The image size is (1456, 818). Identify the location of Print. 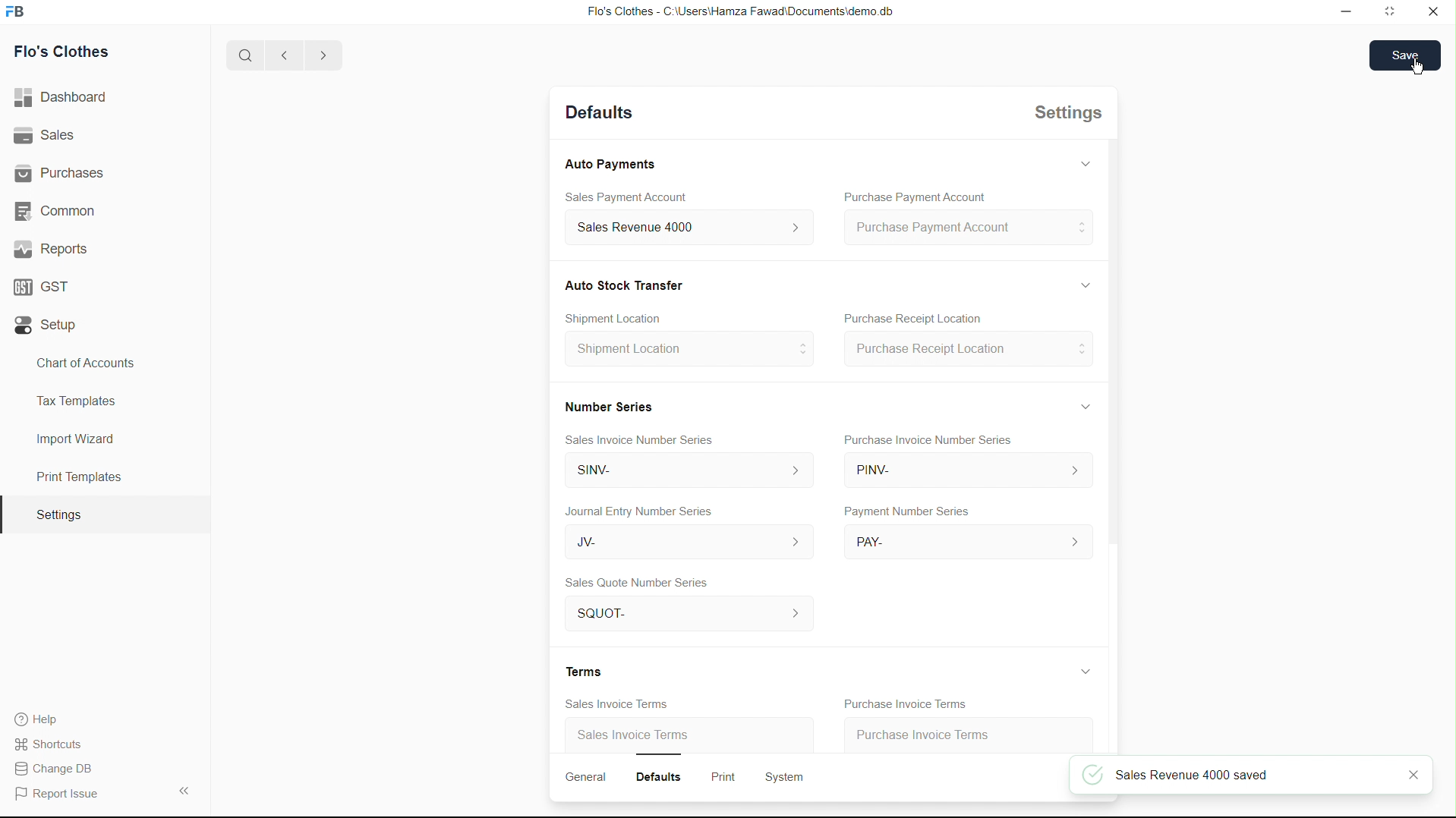
(723, 774).